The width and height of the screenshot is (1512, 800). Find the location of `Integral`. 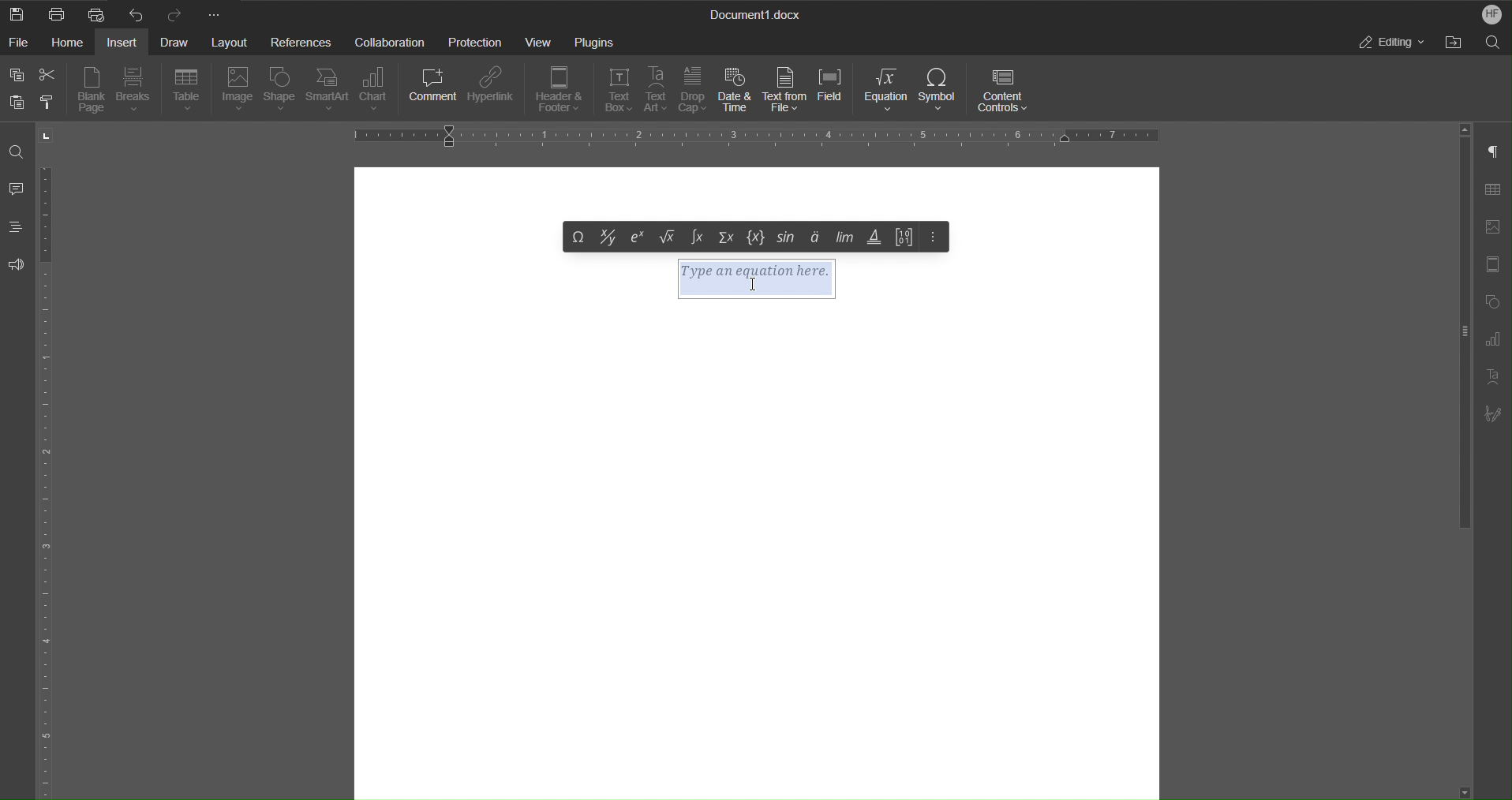

Integral is located at coordinates (696, 237).